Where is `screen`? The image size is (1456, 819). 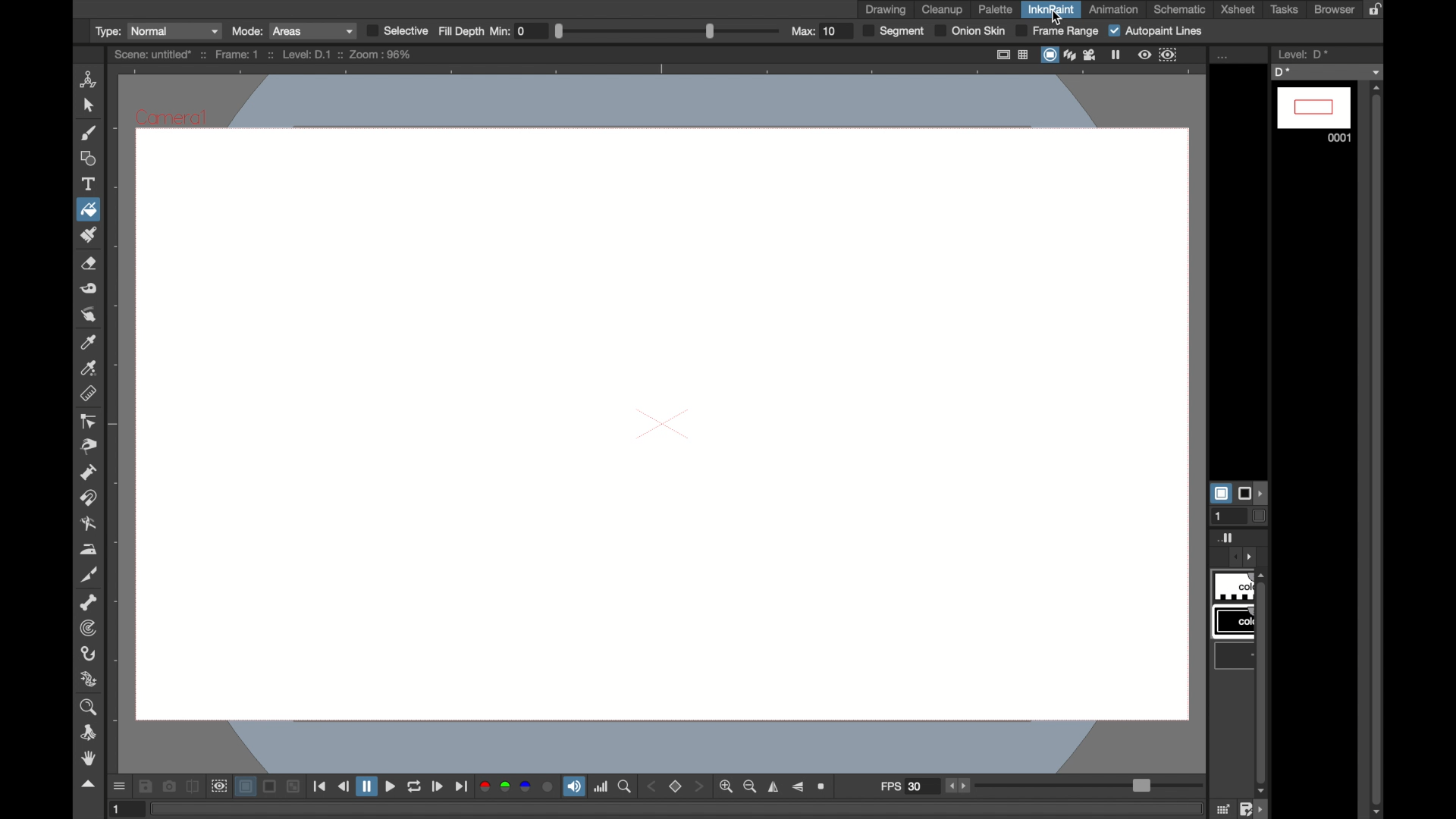
screen is located at coordinates (1049, 55).